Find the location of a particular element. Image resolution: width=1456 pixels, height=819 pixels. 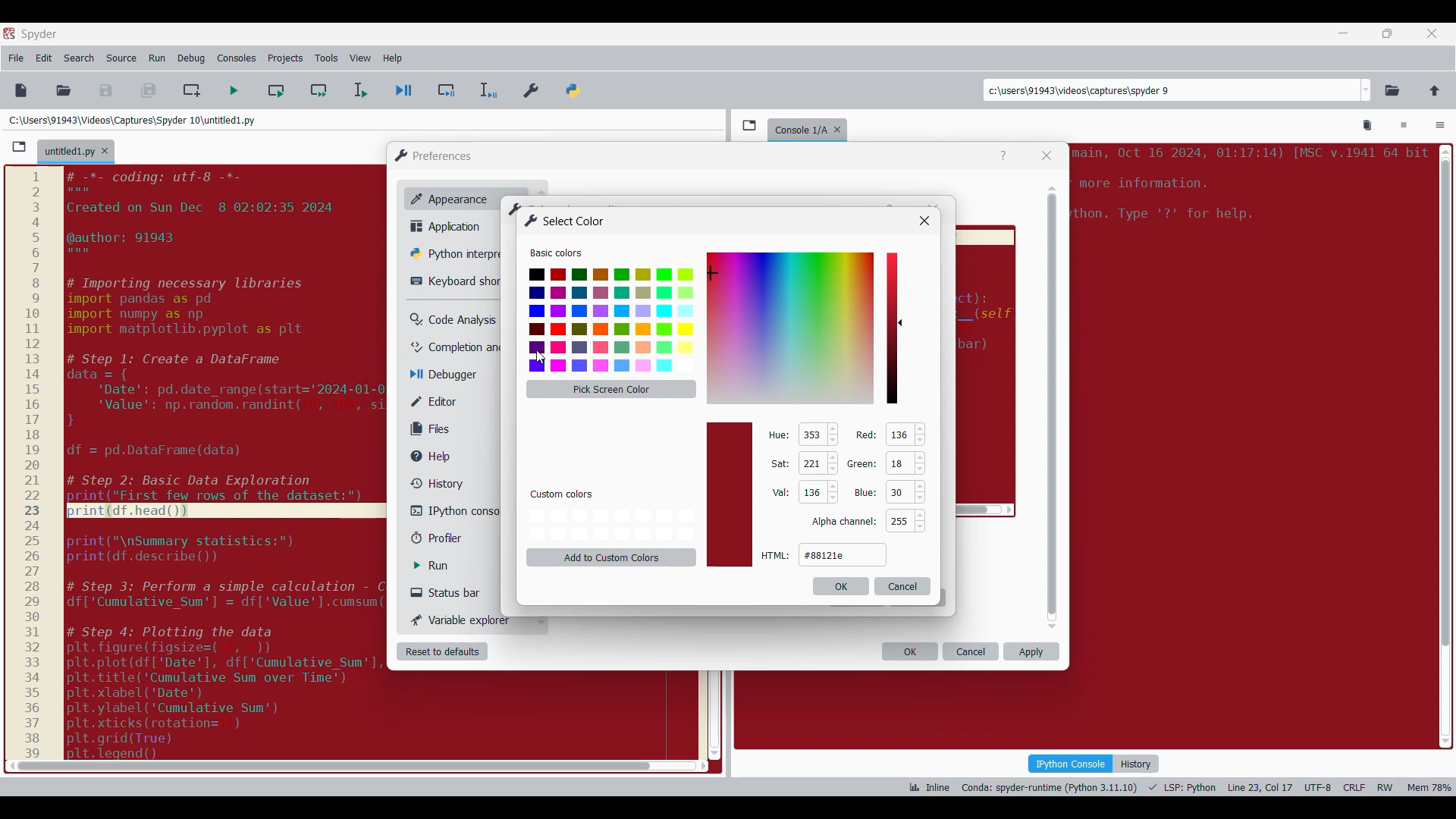

255 is located at coordinates (898, 522).